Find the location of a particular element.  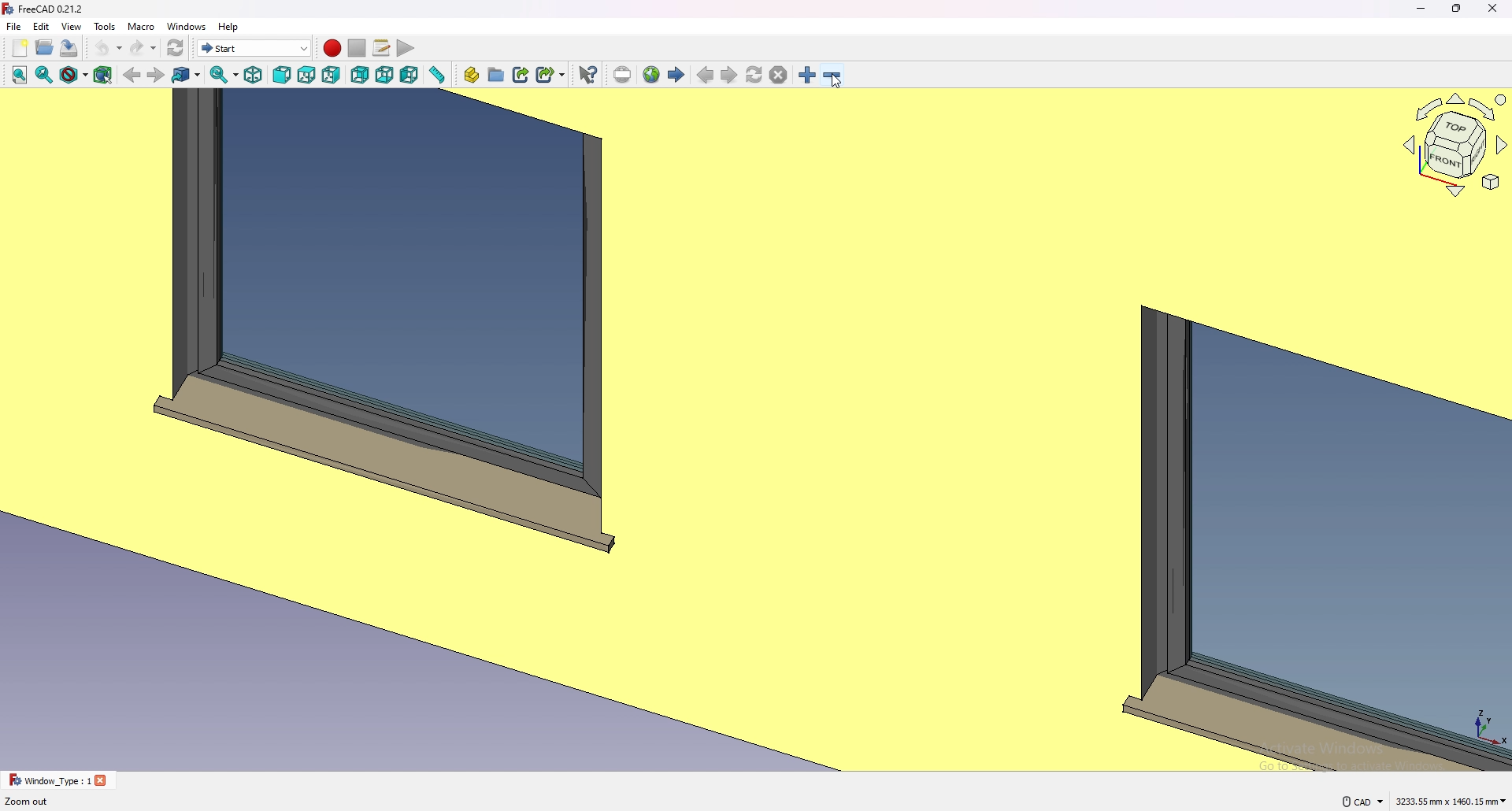

undo is located at coordinates (106, 48).